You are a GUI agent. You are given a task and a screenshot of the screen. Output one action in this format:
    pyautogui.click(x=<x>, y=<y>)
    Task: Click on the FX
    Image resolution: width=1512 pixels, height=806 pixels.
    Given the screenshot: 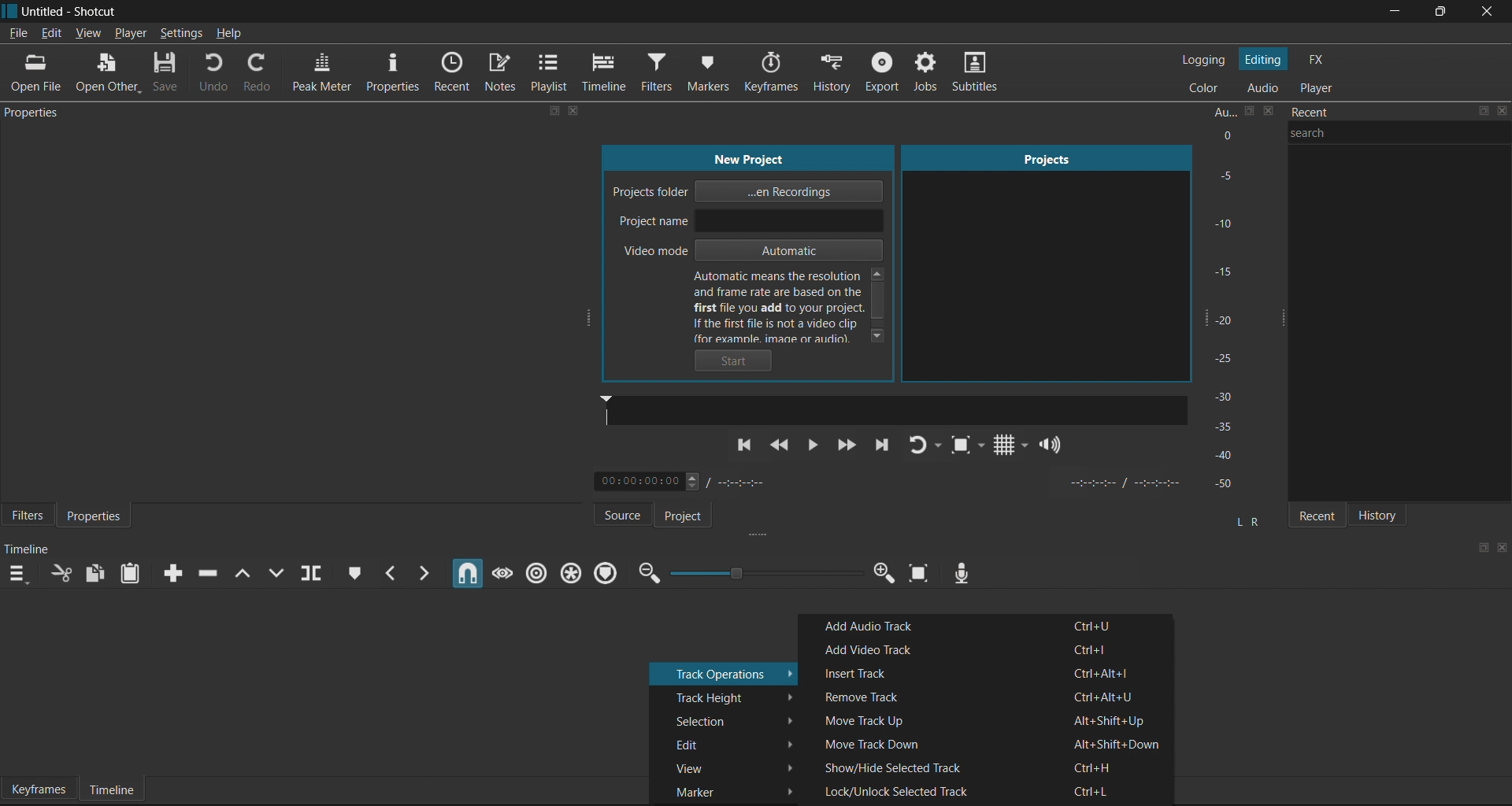 What is the action you would take?
    pyautogui.click(x=1318, y=61)
    